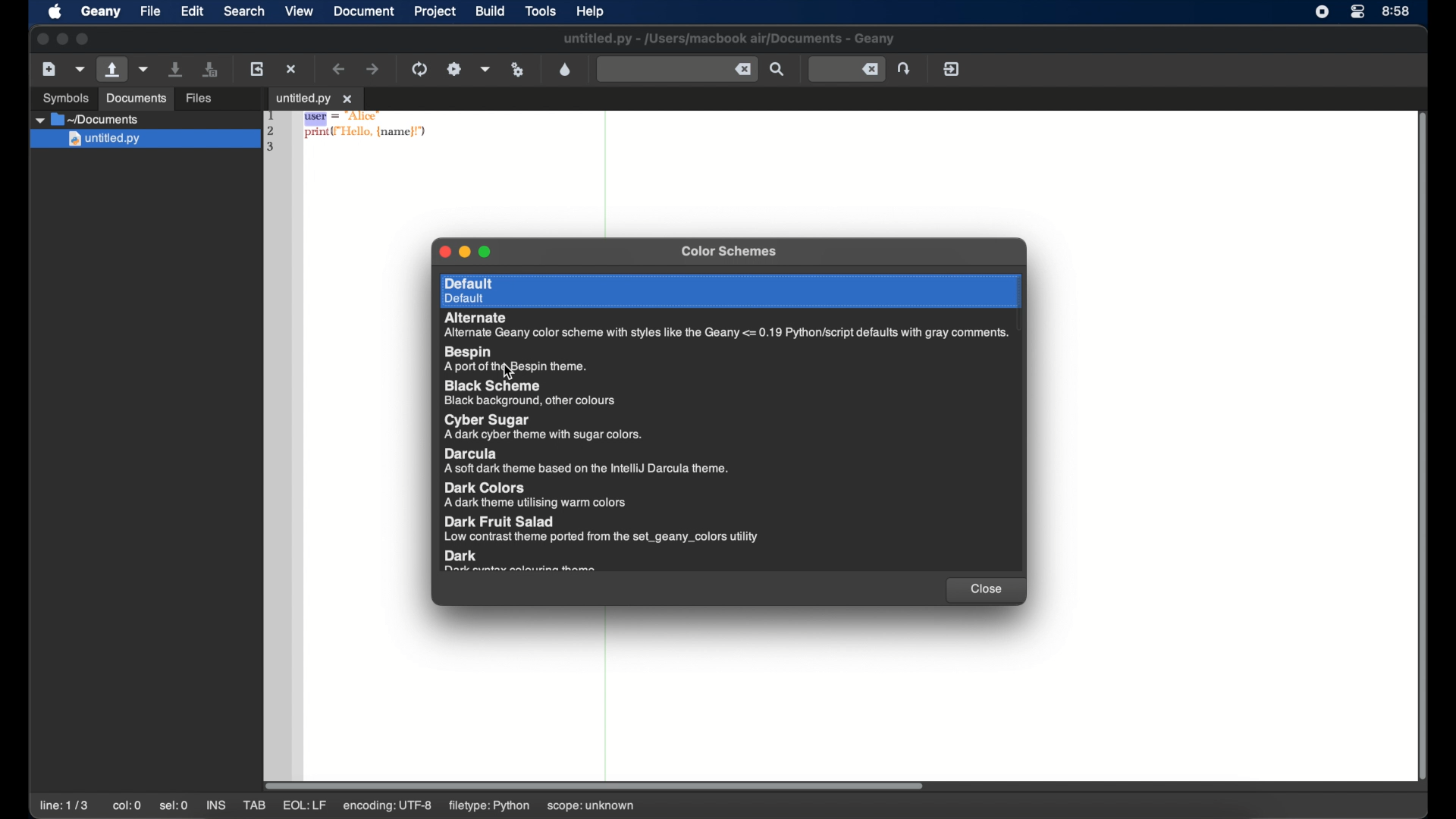  What do you see at coordinates (49, 68) in the screenshot?
I see `create a new file` at bounding box center [49, 68].